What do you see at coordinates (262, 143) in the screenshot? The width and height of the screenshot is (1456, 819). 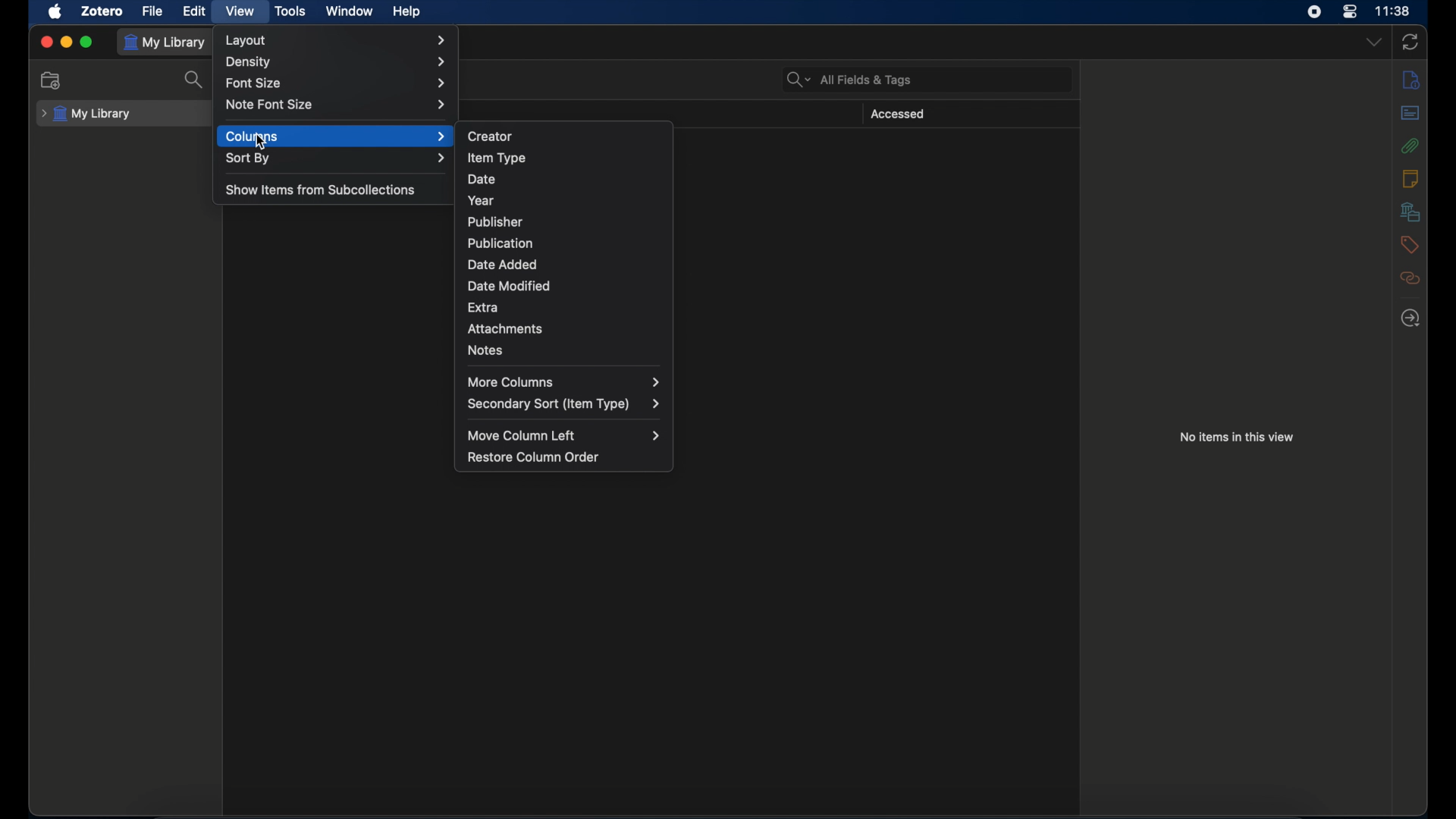 I see `cursor` at bounding box center [262, 143].